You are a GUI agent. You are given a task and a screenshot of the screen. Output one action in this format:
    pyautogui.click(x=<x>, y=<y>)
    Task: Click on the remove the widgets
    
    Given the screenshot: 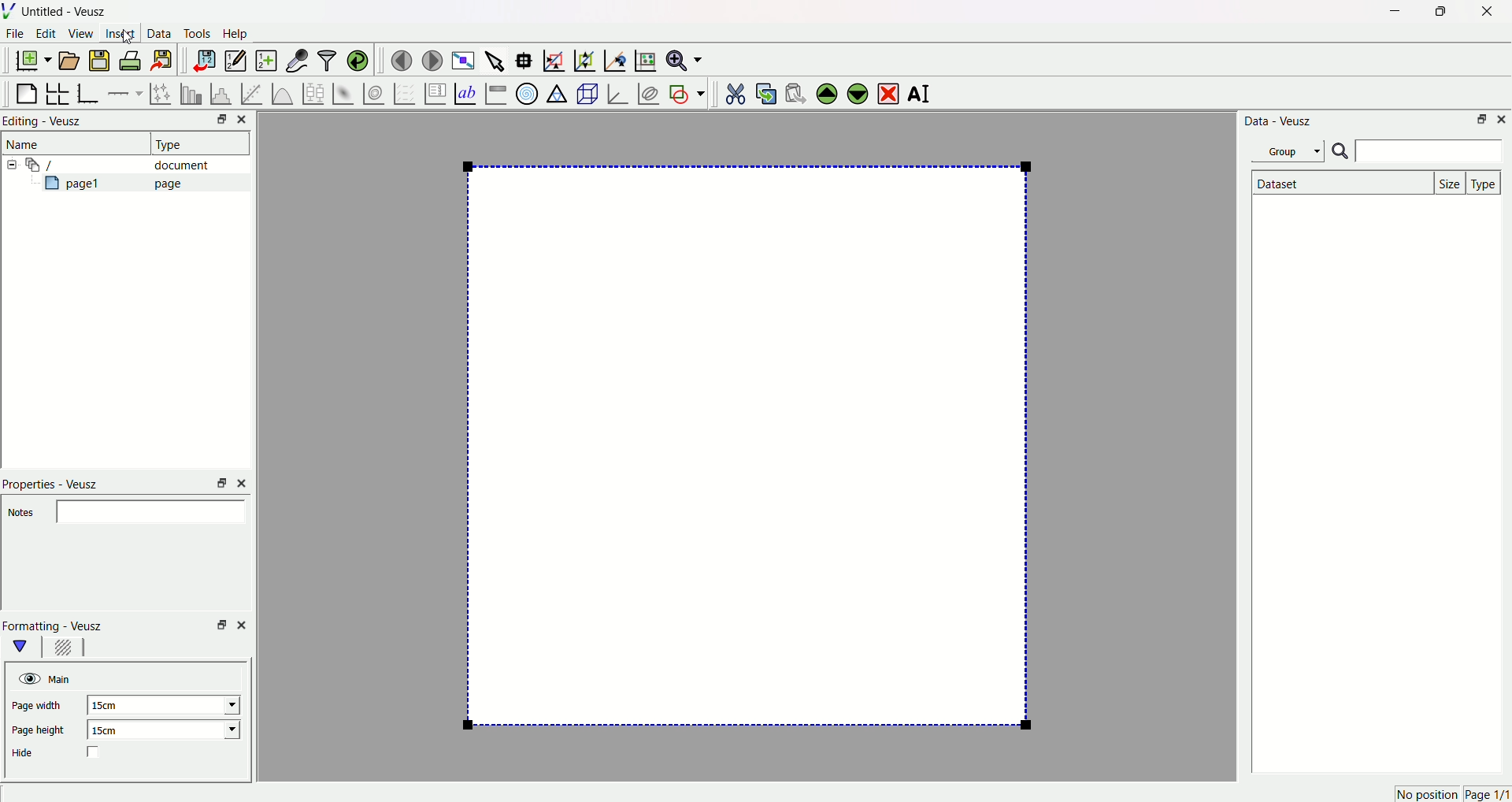 What is the action you would take?
    pyautogui.click(x=888, y=92)
    